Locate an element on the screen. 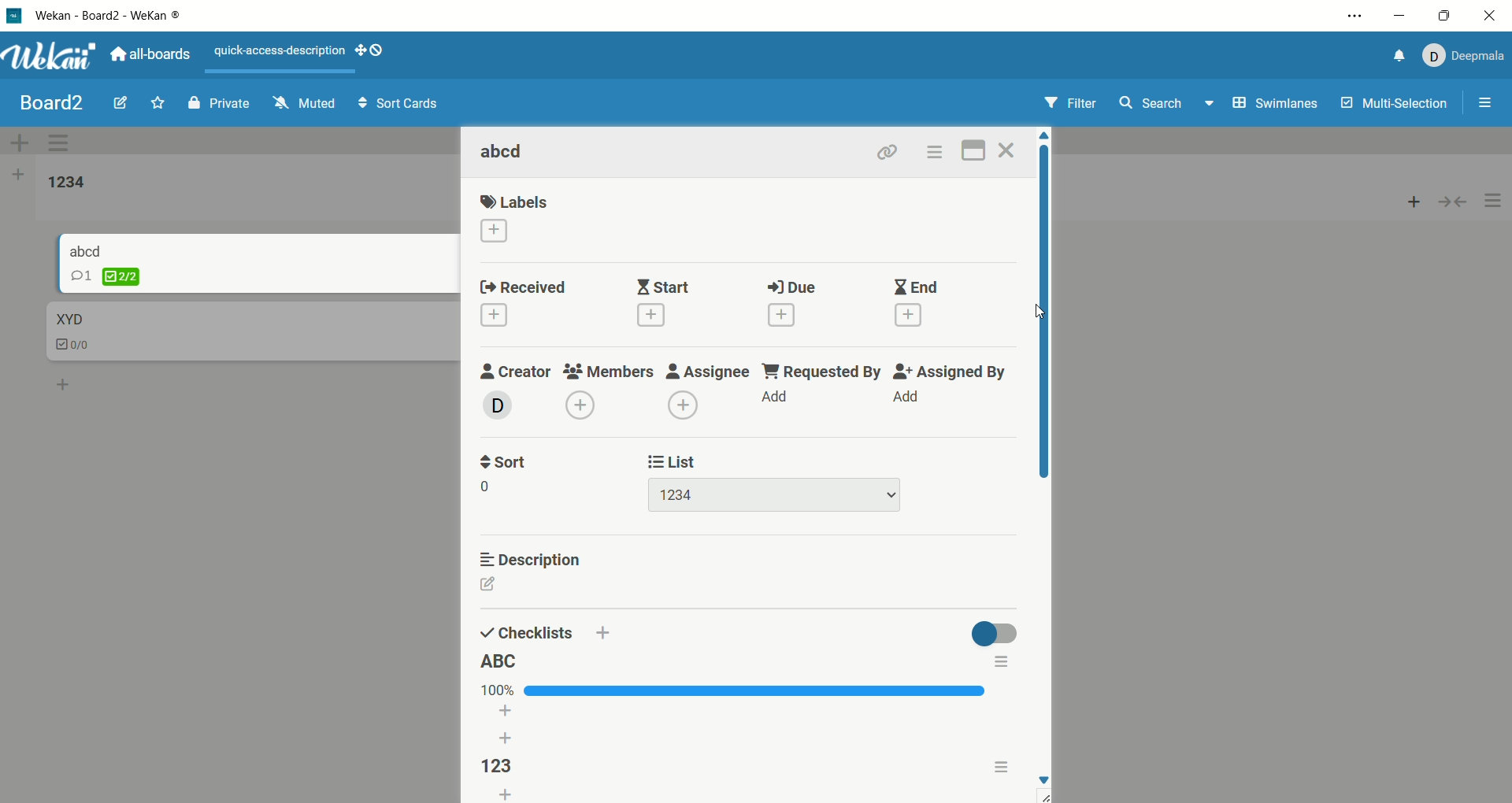 This screenshot has height=803, width=1512. add is located at coordinates (909, 315).